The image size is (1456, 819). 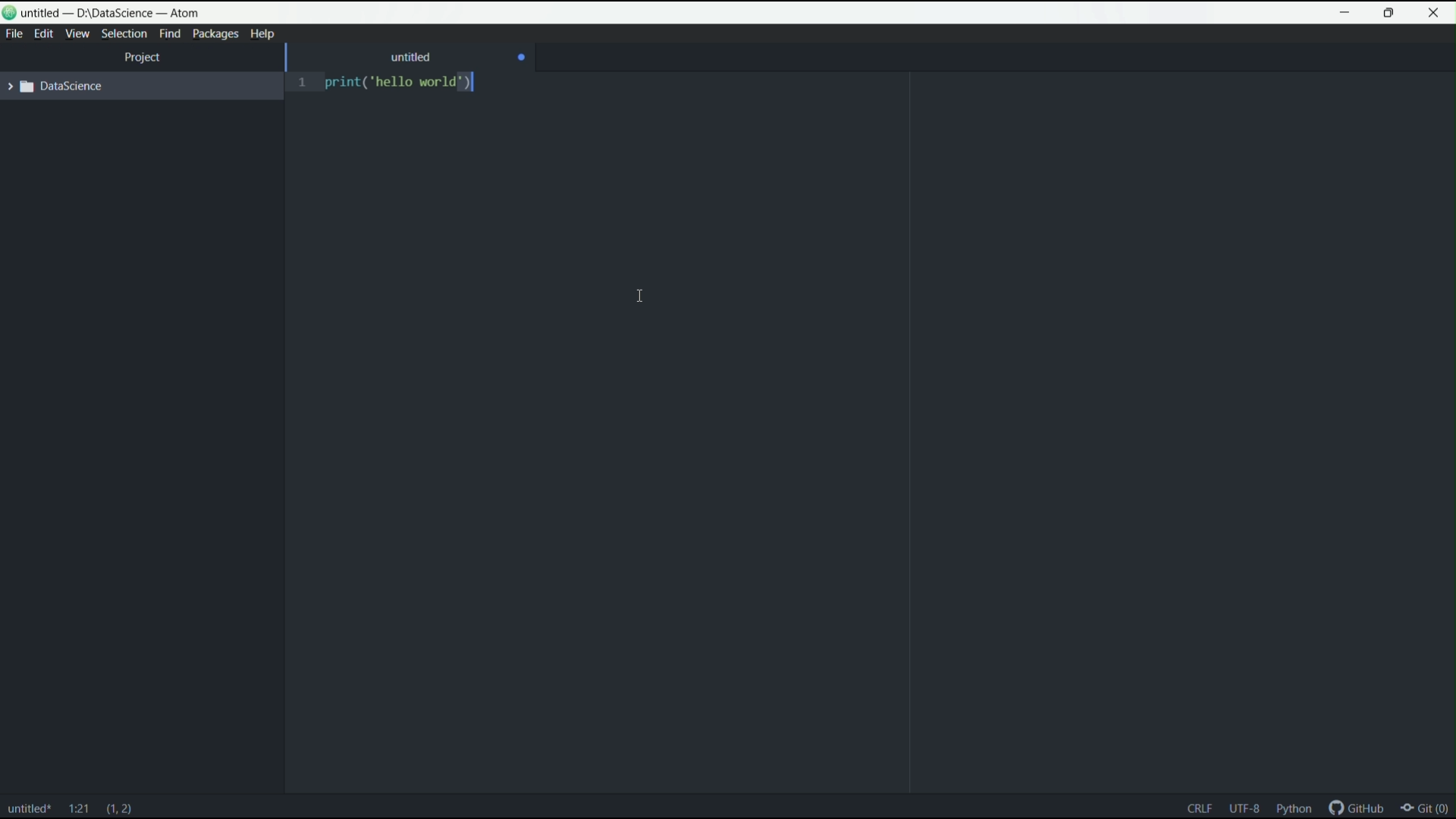 What do you see at coordinates (144, 56) in the screenshot?
I see `project` at bounding box center [144, 56].